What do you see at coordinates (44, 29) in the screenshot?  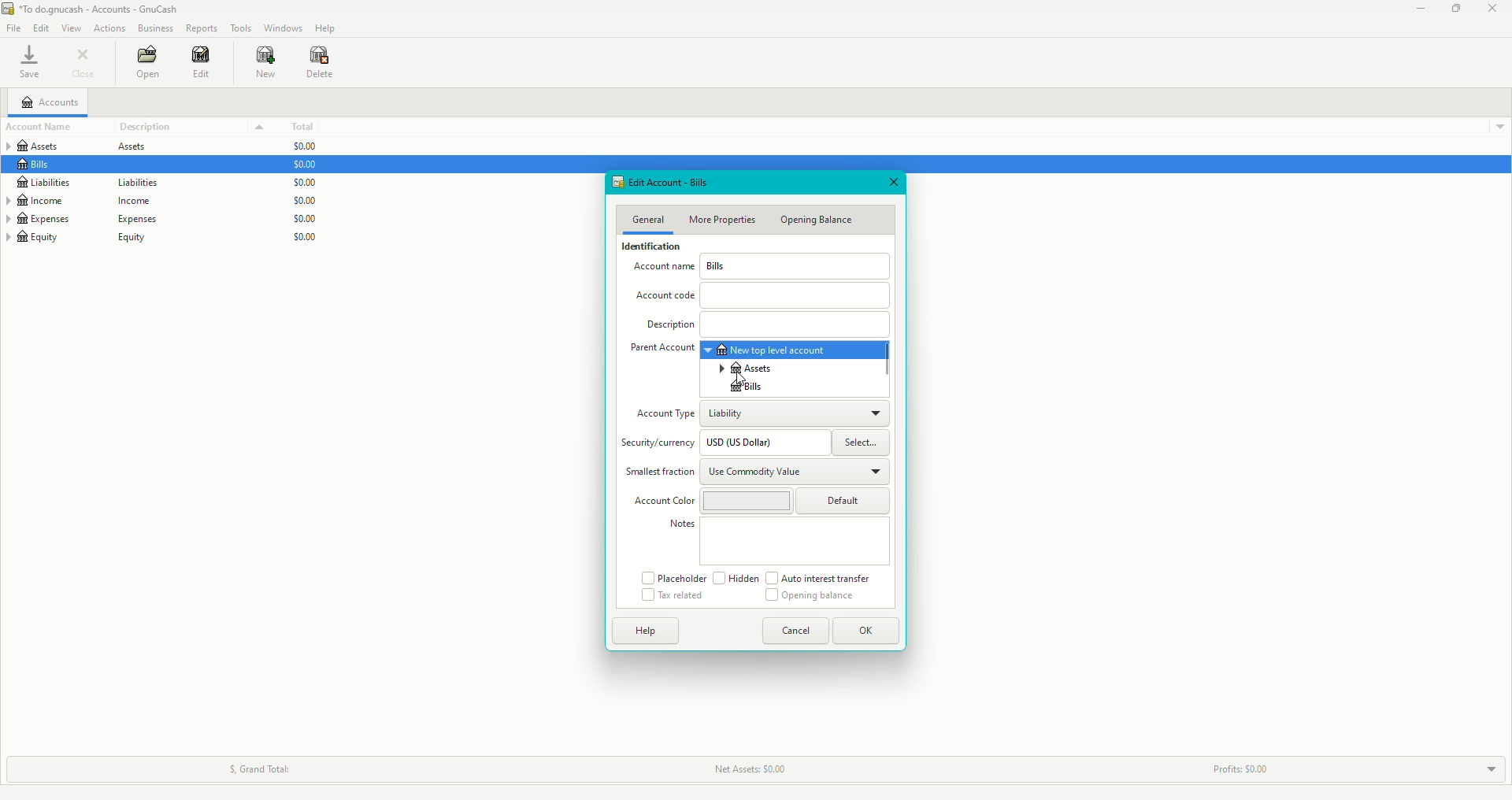 I see `Edit` at bounding box center [44, 29].